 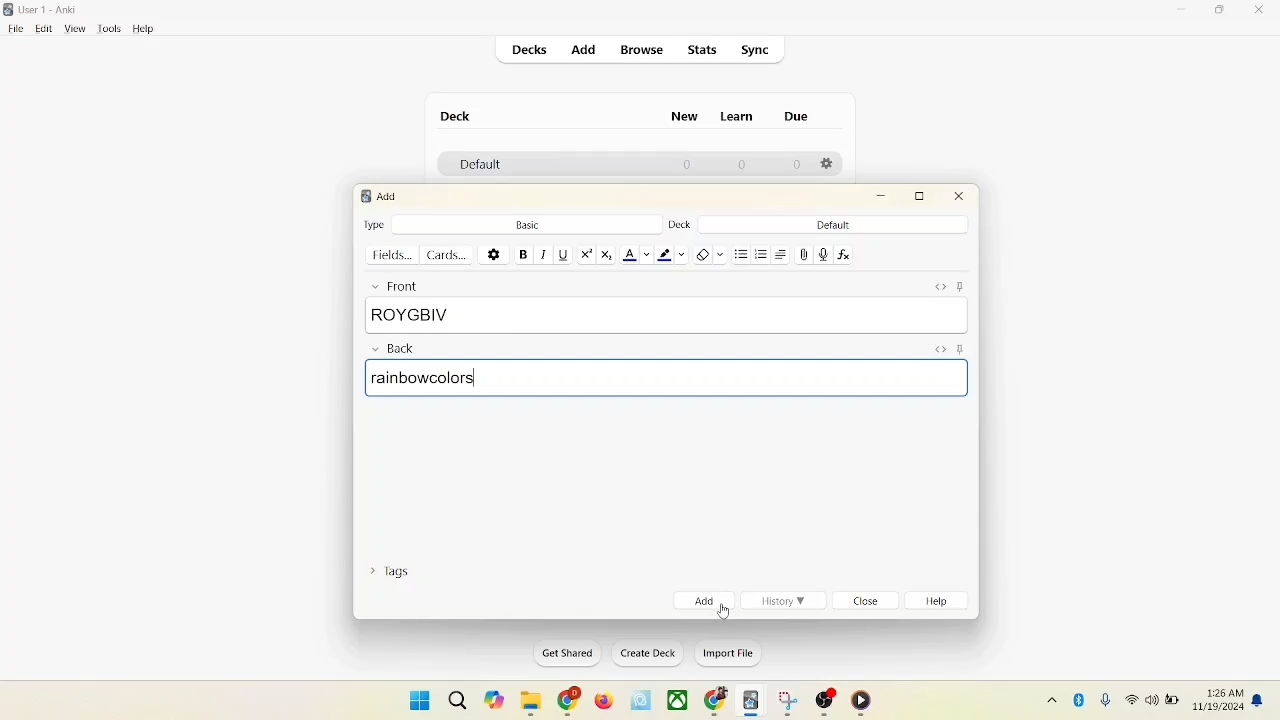 I want to click on settings, so click(x=494, y=253).